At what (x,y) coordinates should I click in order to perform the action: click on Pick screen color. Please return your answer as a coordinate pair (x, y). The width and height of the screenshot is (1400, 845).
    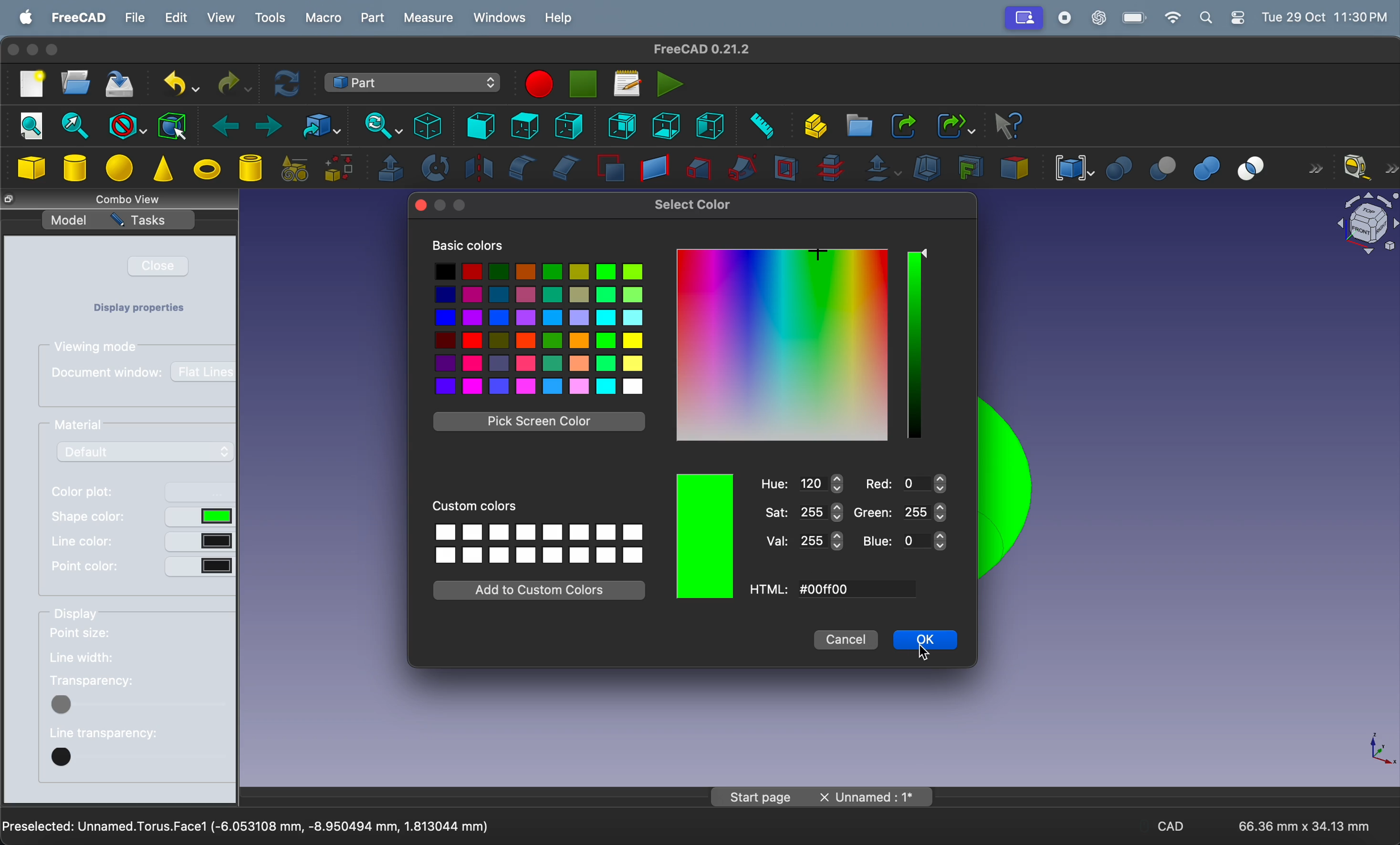
    Looking at the image, I should click on (541, 421).